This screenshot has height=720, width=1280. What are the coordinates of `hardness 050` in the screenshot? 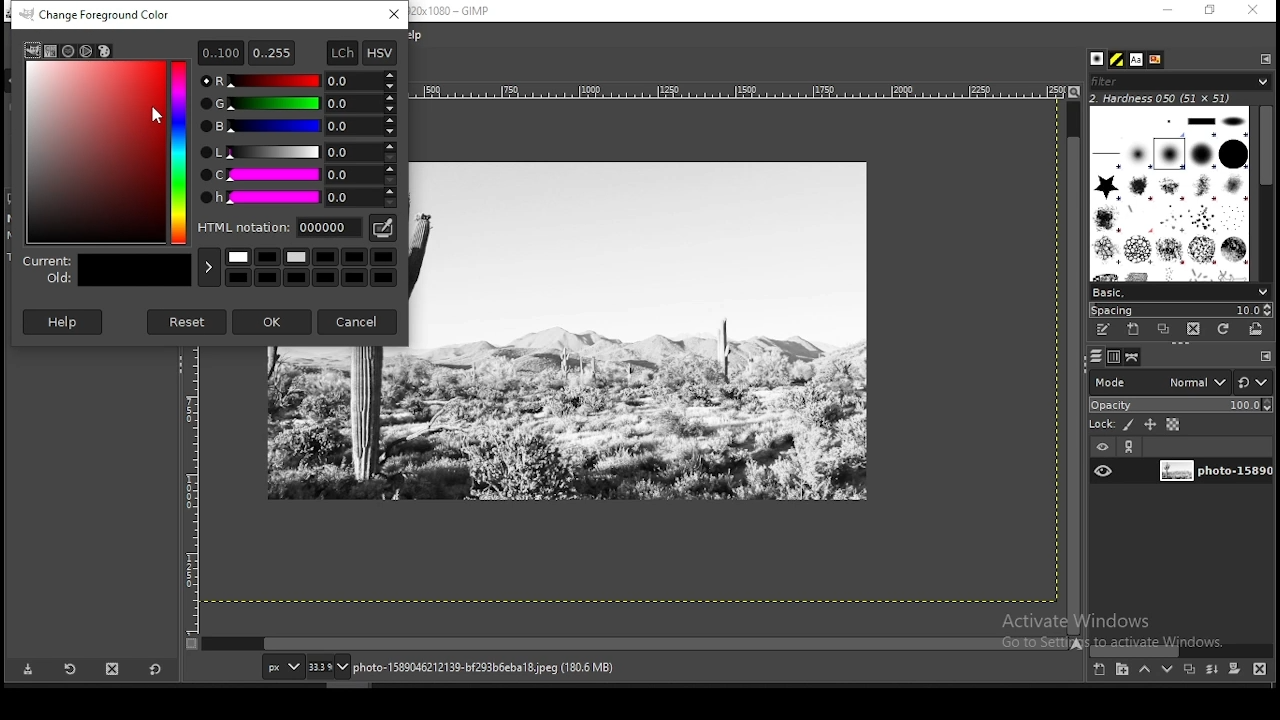 It's located at (1185, 98).